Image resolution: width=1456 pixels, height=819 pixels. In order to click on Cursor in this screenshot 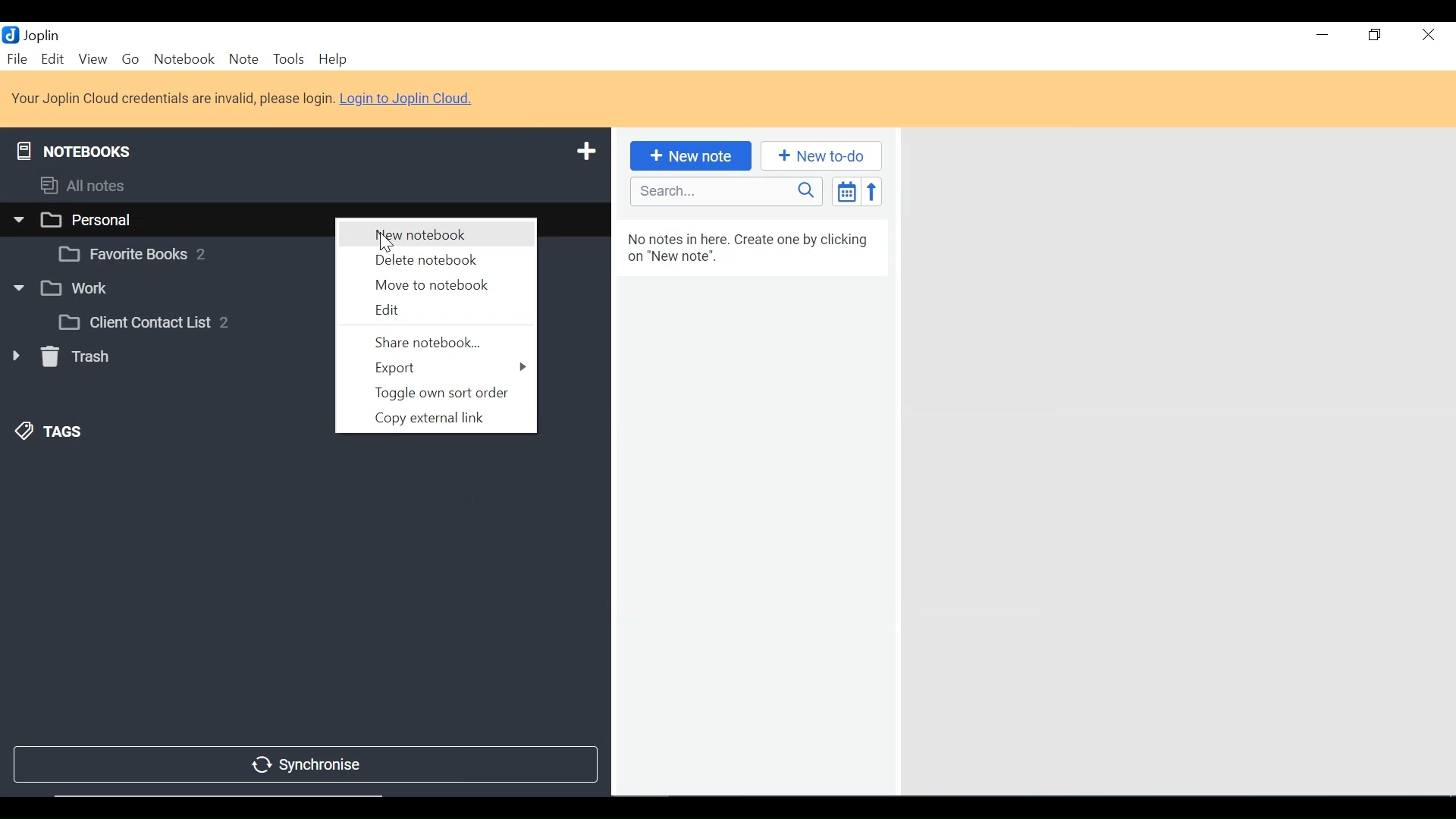, I will do `click(387, 244)`.